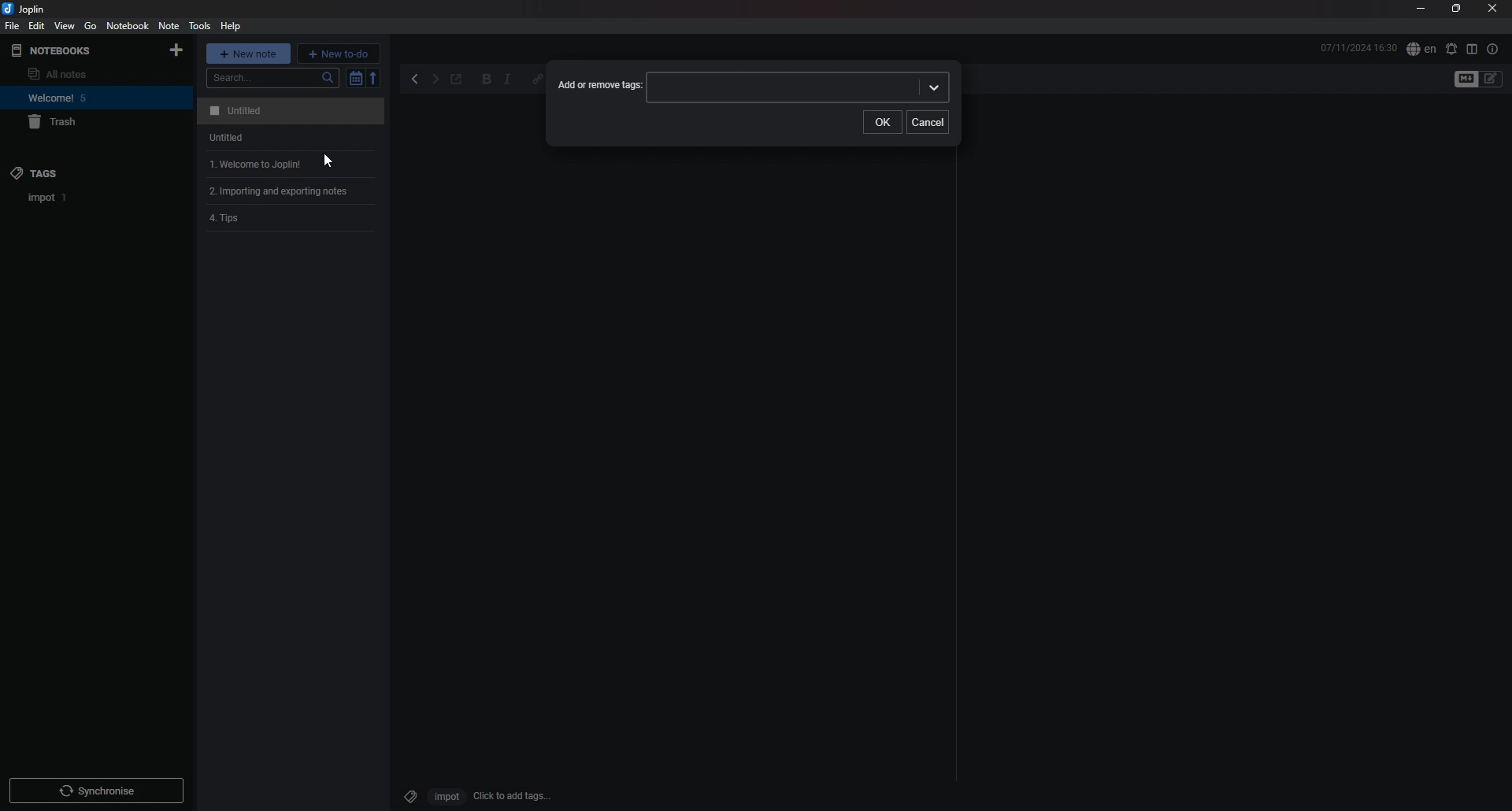 Image resolution: width=1512 pixels, height=811 pixels. I want to click on tools, so click(198, 26).